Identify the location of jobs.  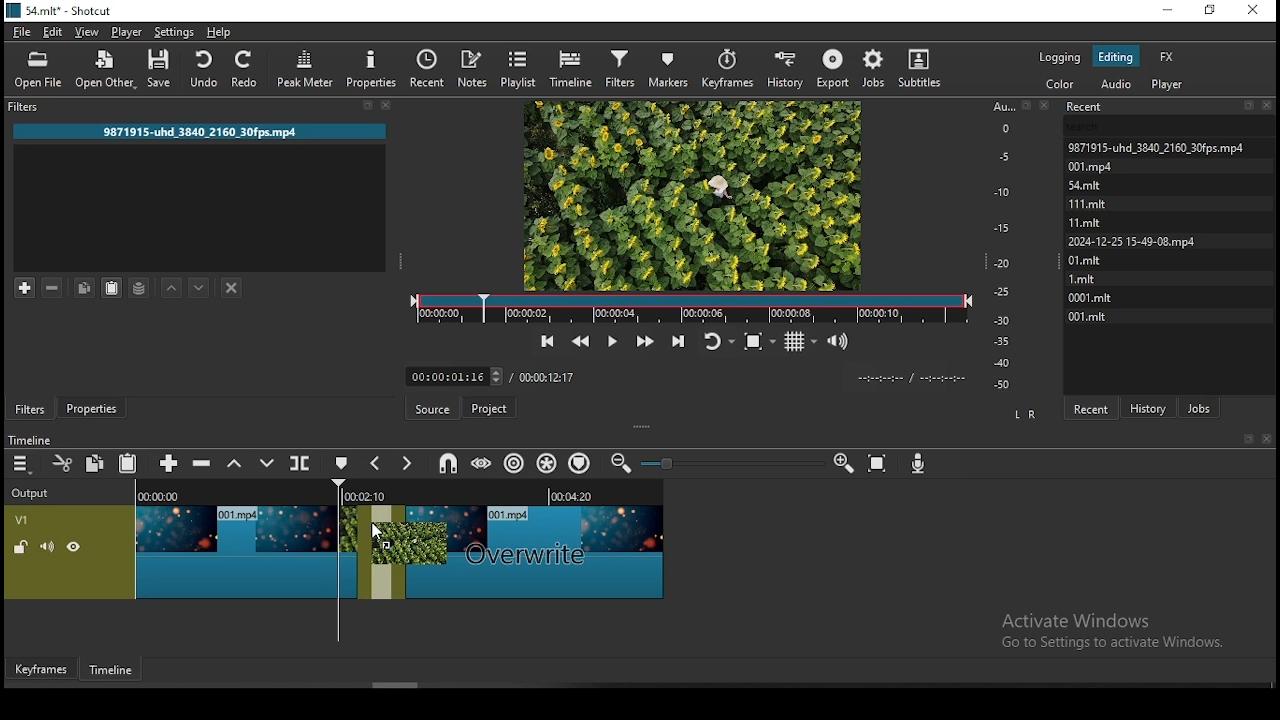
(876, 70).